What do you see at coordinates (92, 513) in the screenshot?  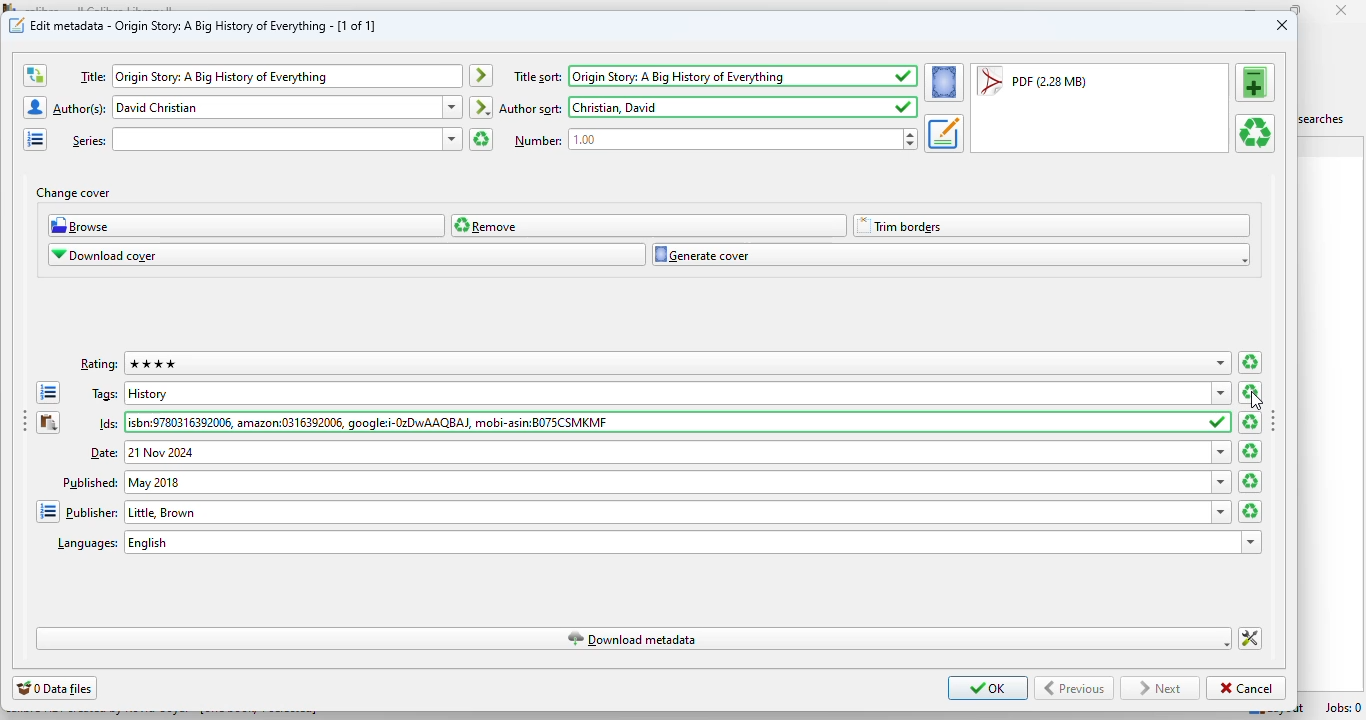 I see `text` at bounding box center [92, 513].